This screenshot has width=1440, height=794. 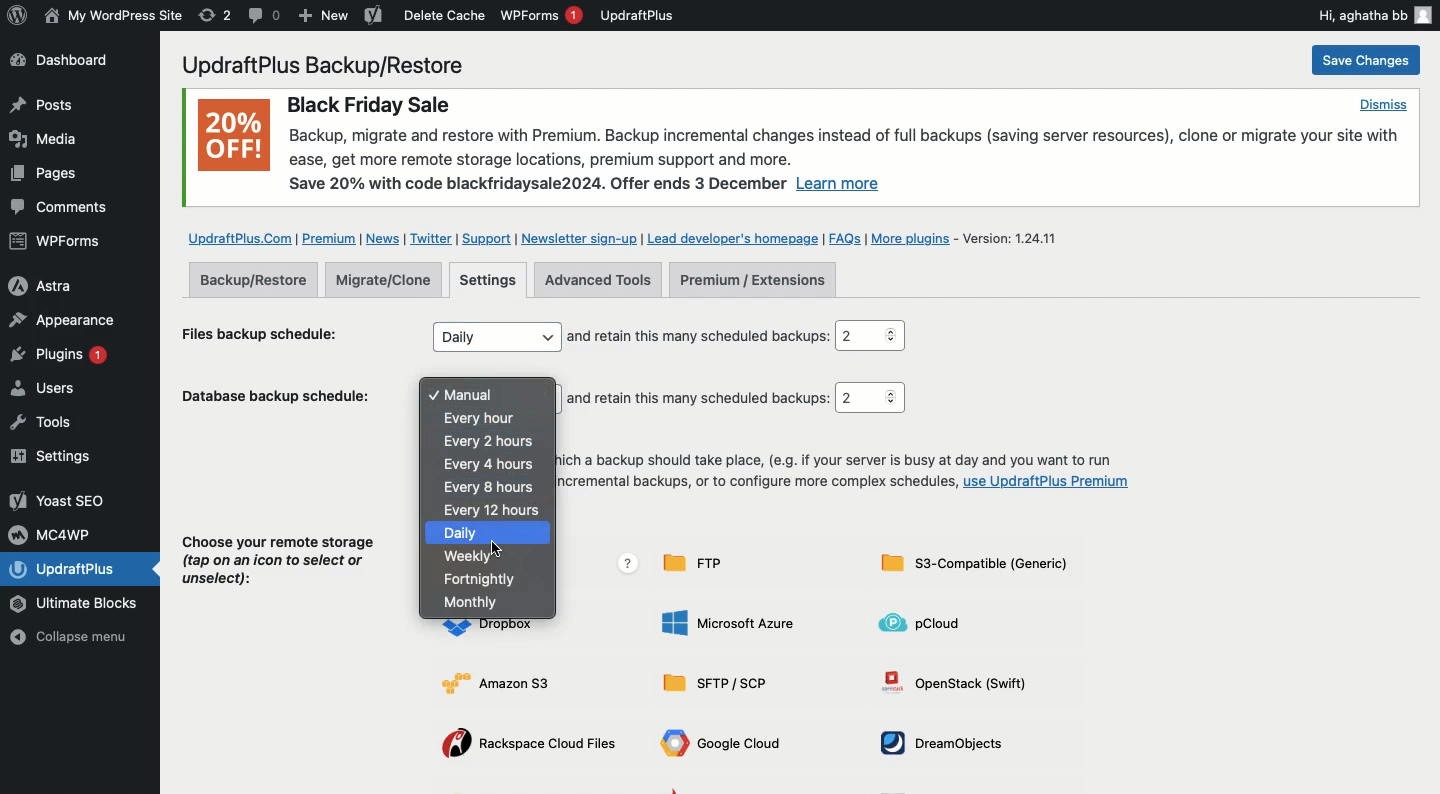 I want to click on UpdraftPlus, so click(x=83, y=569).